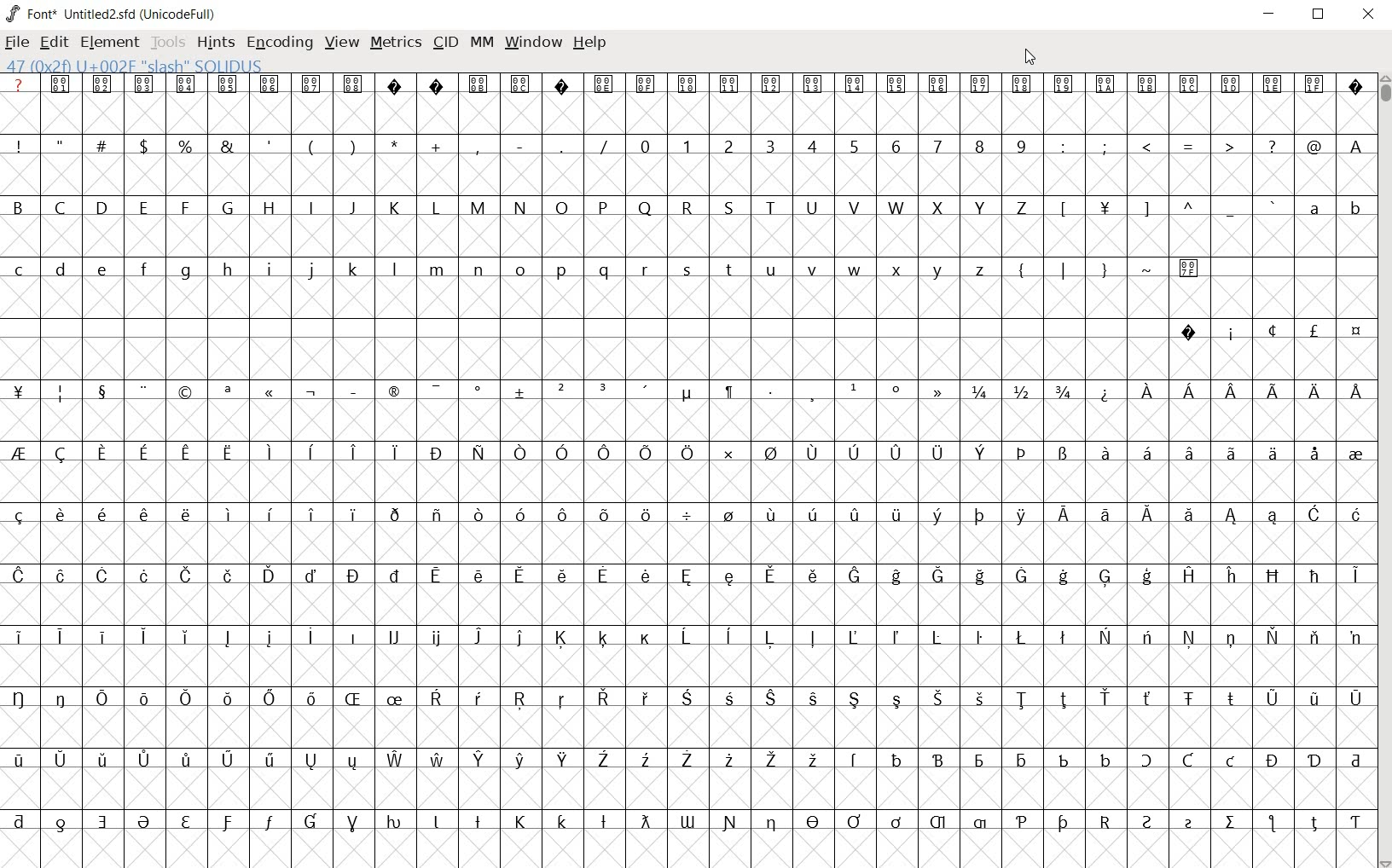 This screenshot has height=868, width=1392. I want to click on empty cells, so click(688, 847).